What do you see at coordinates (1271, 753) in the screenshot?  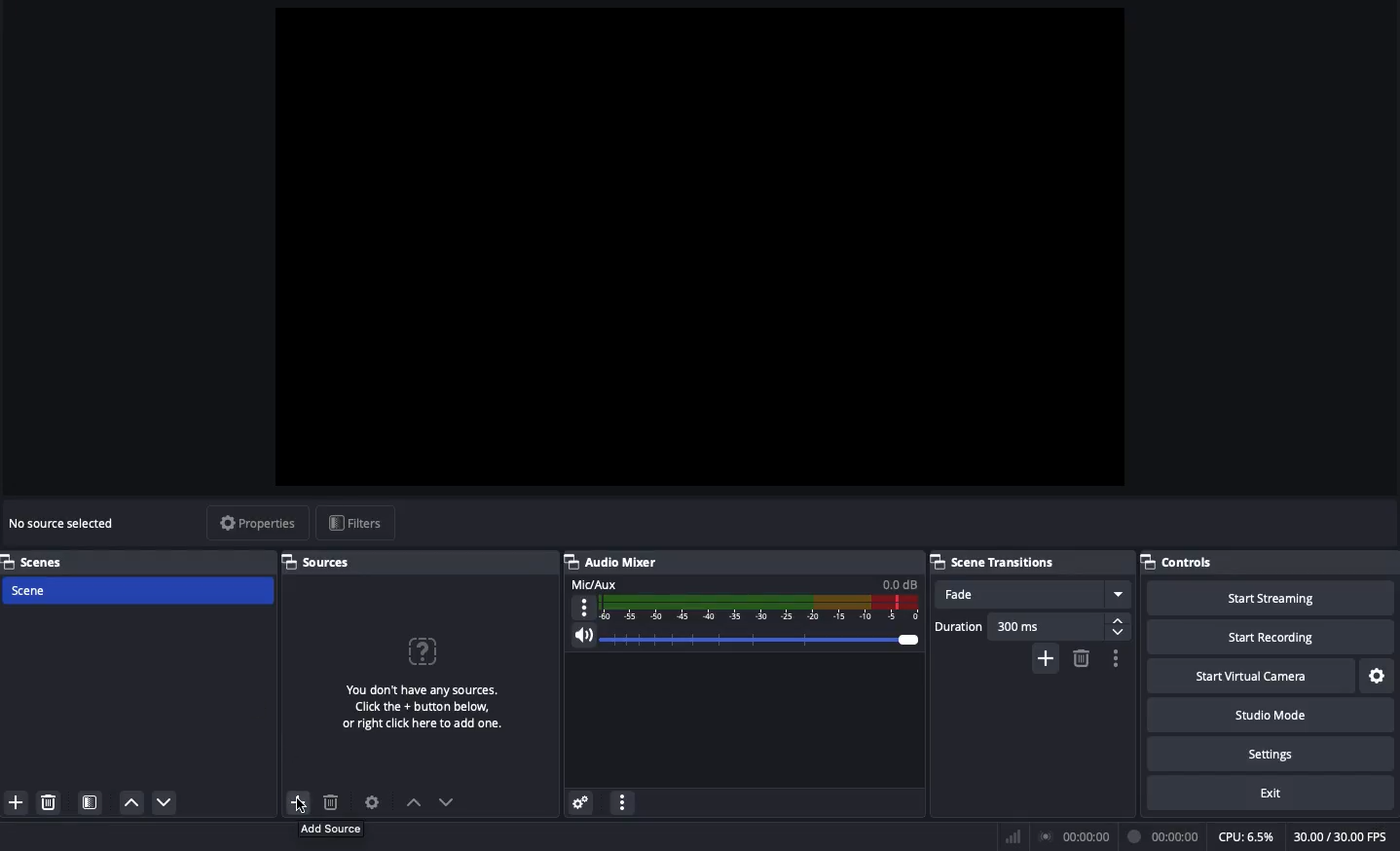 I see `Settings` at bounding box center [1271, 753].